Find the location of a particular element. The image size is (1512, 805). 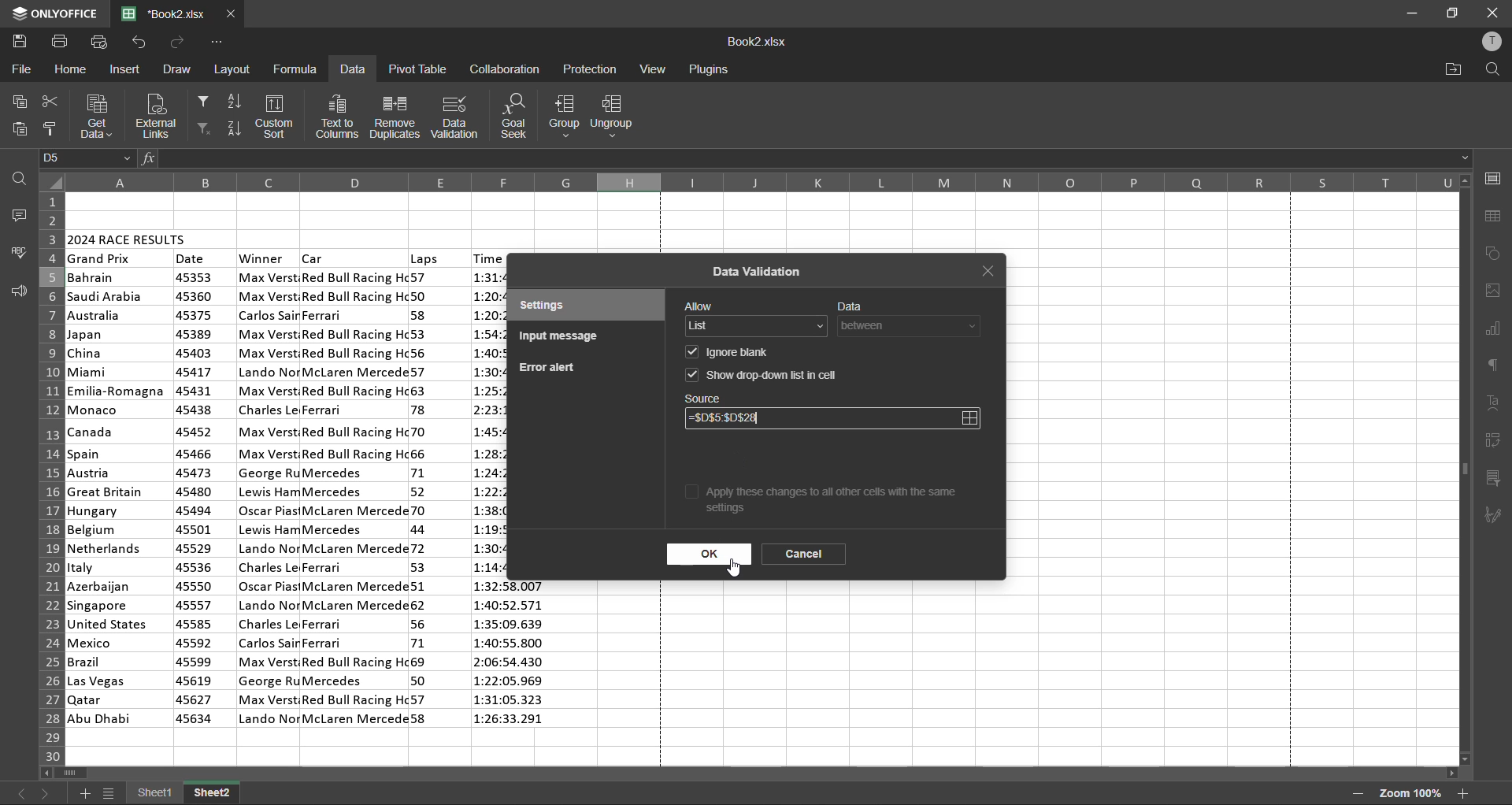

allow is located at coordinates (758, 327).